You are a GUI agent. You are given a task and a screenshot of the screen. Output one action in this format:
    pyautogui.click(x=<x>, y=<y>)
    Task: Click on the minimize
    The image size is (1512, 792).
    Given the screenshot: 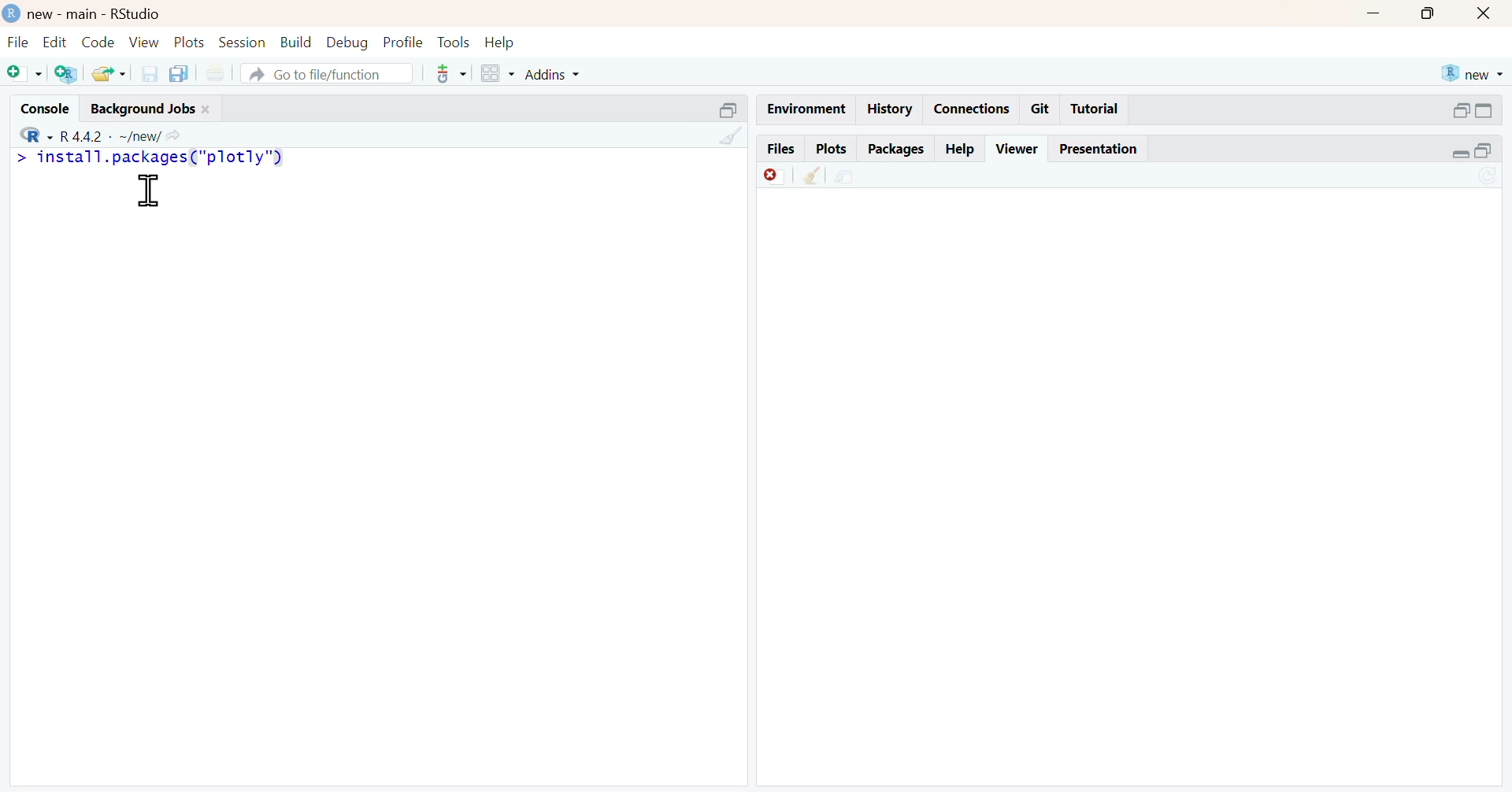 What is the action you would take?
    pyautogui.click(x=1459, y=109)
    